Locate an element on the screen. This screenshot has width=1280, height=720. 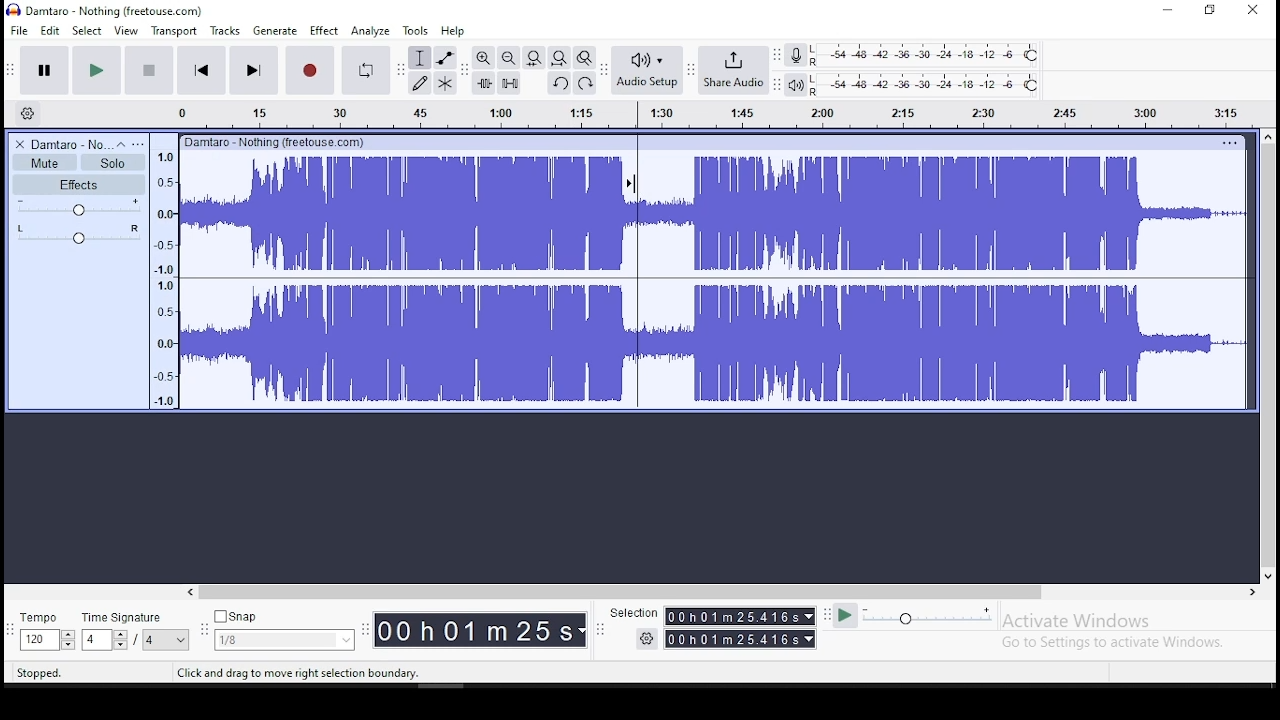
delete track is located at coordinates (20, 143).